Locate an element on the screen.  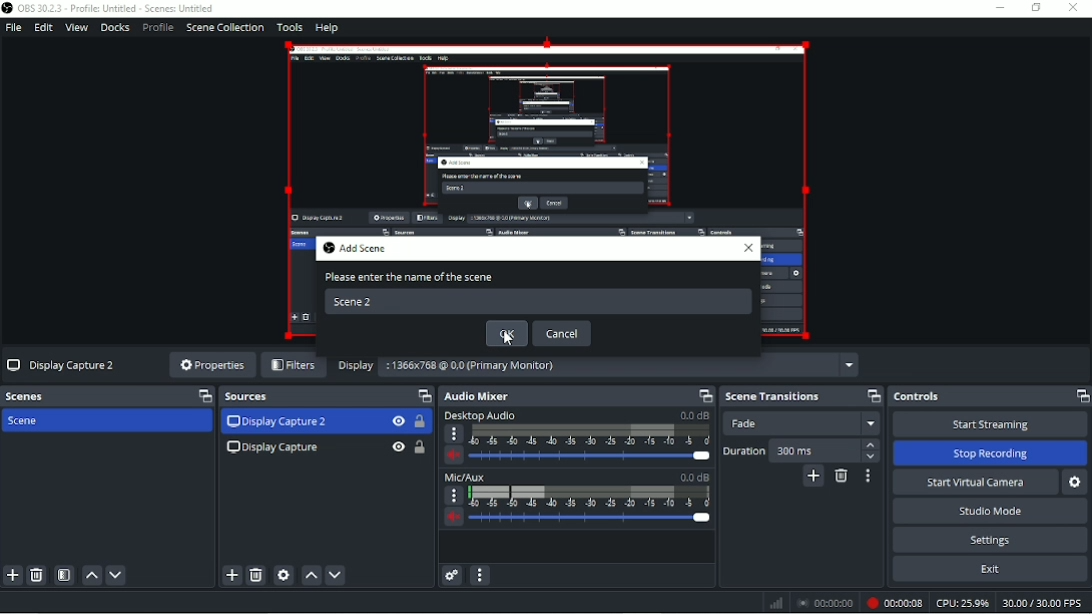
Lock is located at coordinates (418, 421).